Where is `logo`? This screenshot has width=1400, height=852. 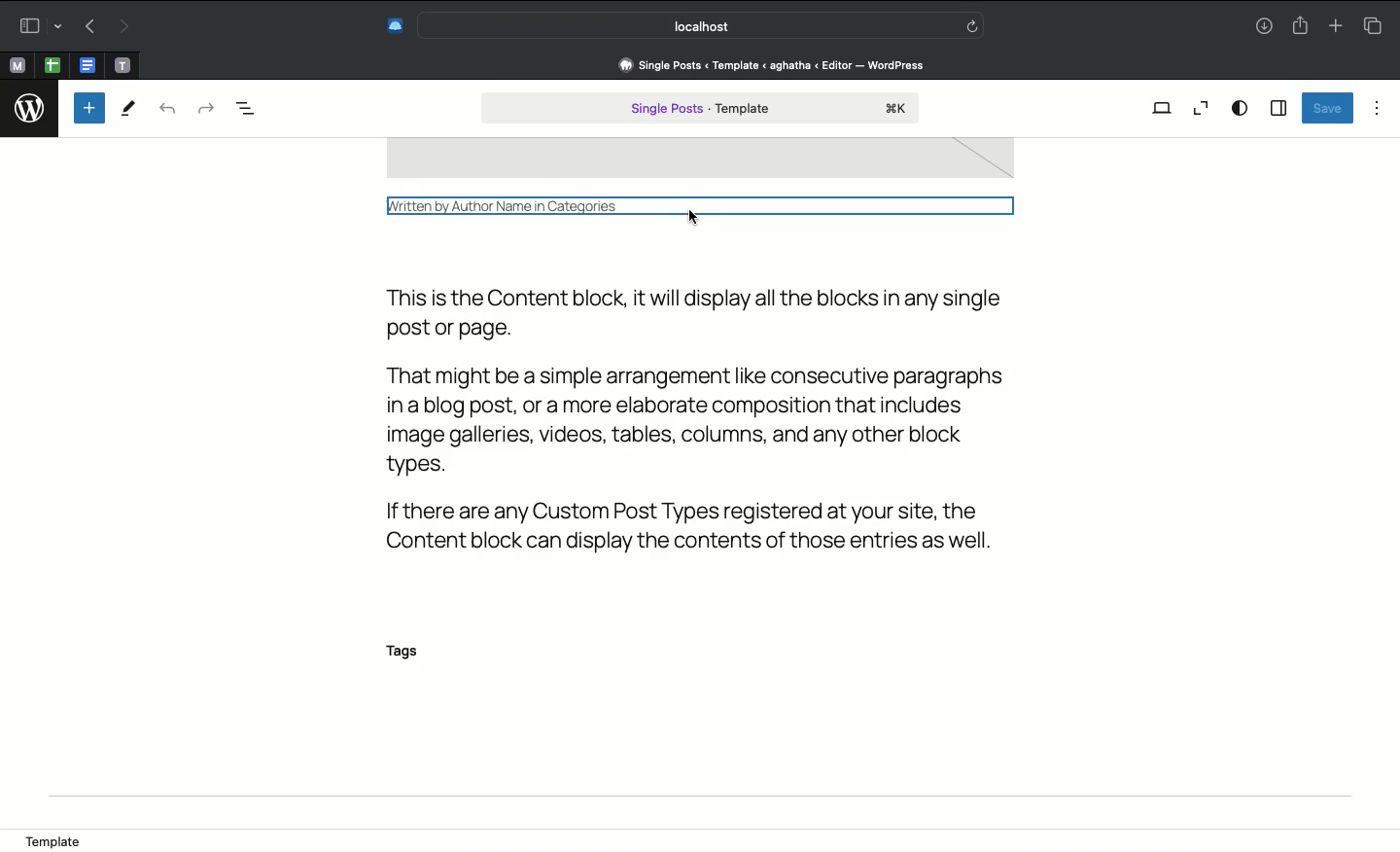 logo is located at coordinates (31, 104).